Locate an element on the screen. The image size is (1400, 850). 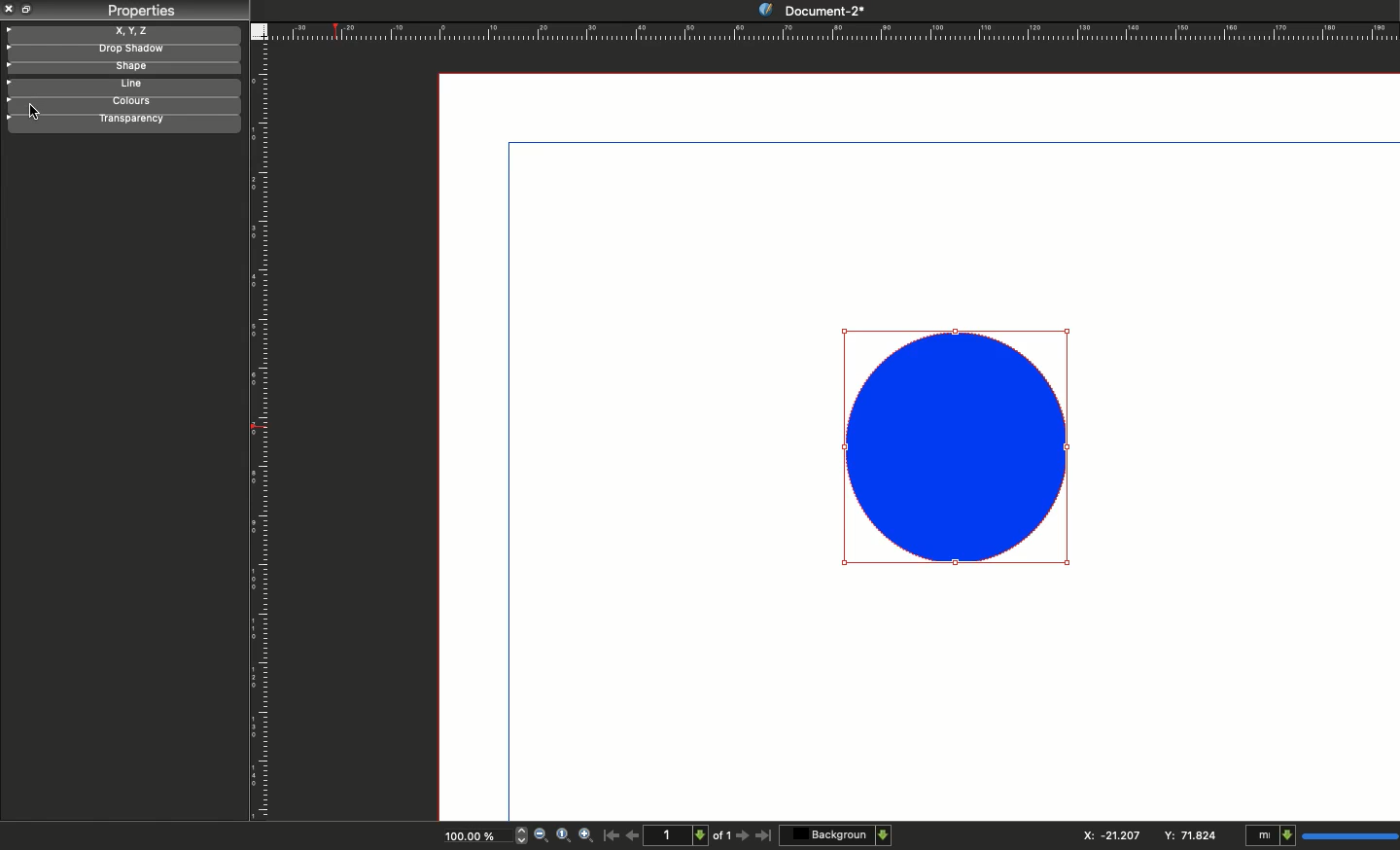
cursor is located at coordinates (32, 114).